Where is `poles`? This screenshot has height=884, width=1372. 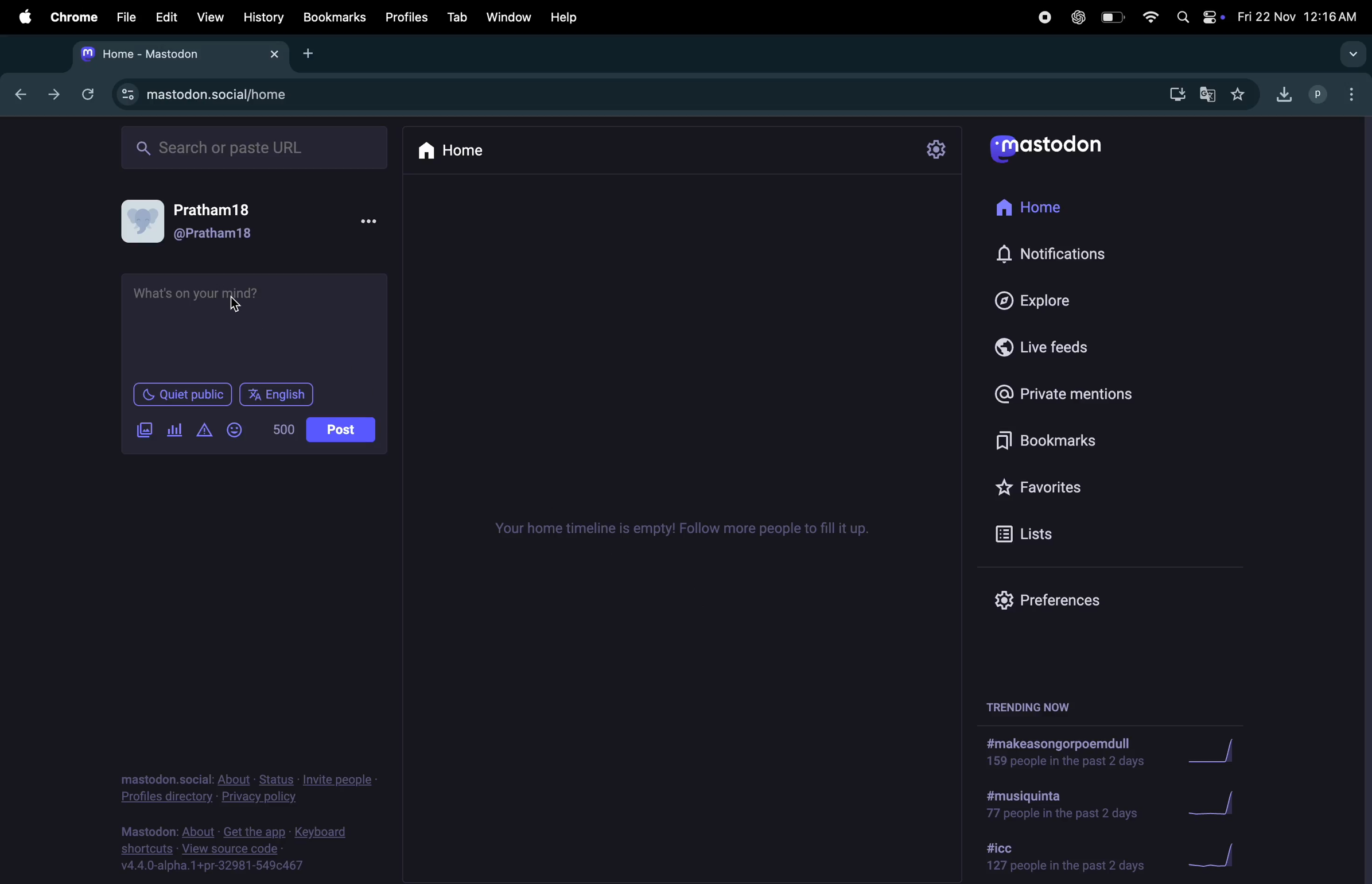
poles is located at coordinates (173, 429).